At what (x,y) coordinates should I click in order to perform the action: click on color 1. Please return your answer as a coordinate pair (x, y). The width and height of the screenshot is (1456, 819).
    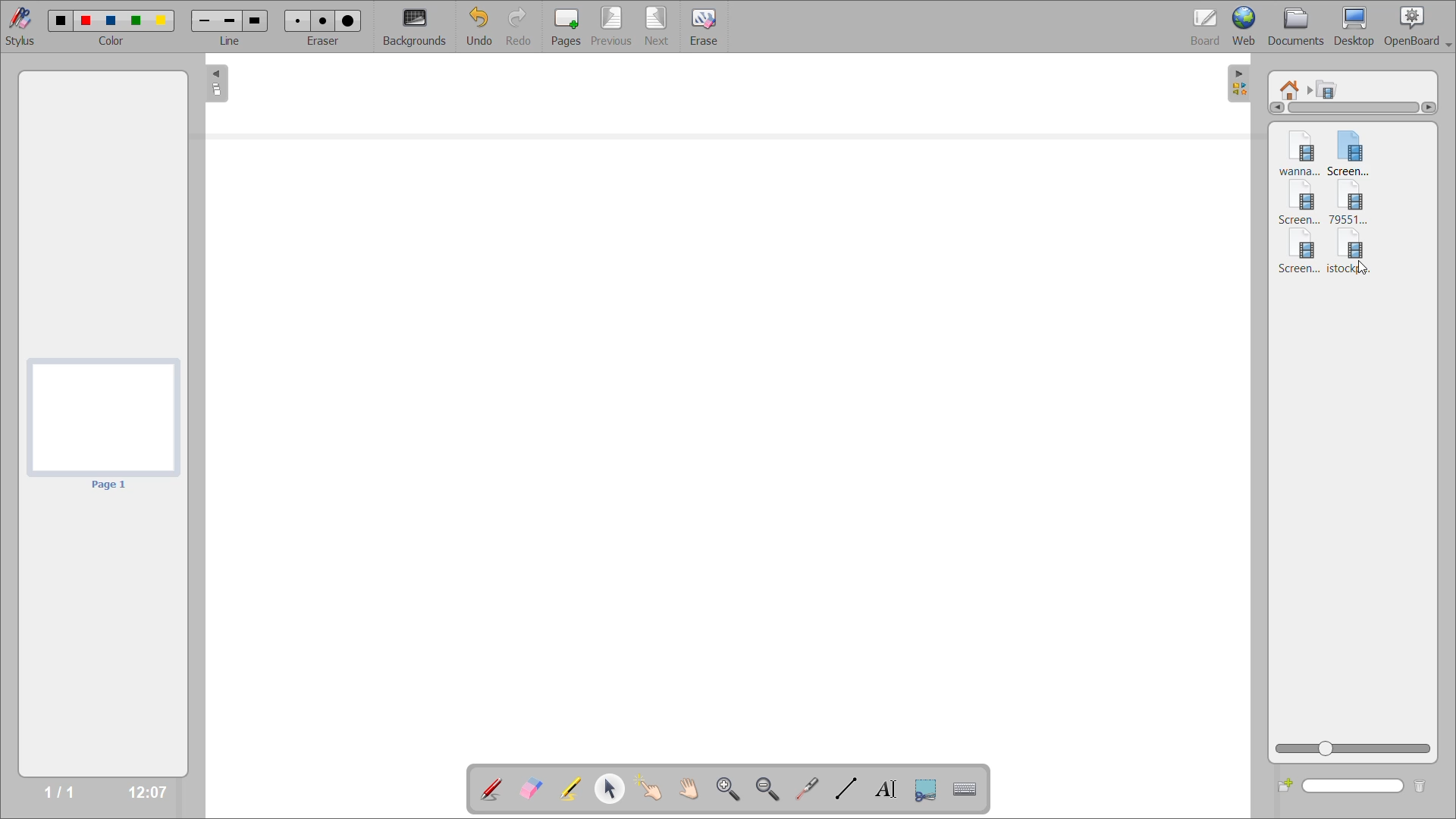
    Looking at the image, I should click on (59, 22).